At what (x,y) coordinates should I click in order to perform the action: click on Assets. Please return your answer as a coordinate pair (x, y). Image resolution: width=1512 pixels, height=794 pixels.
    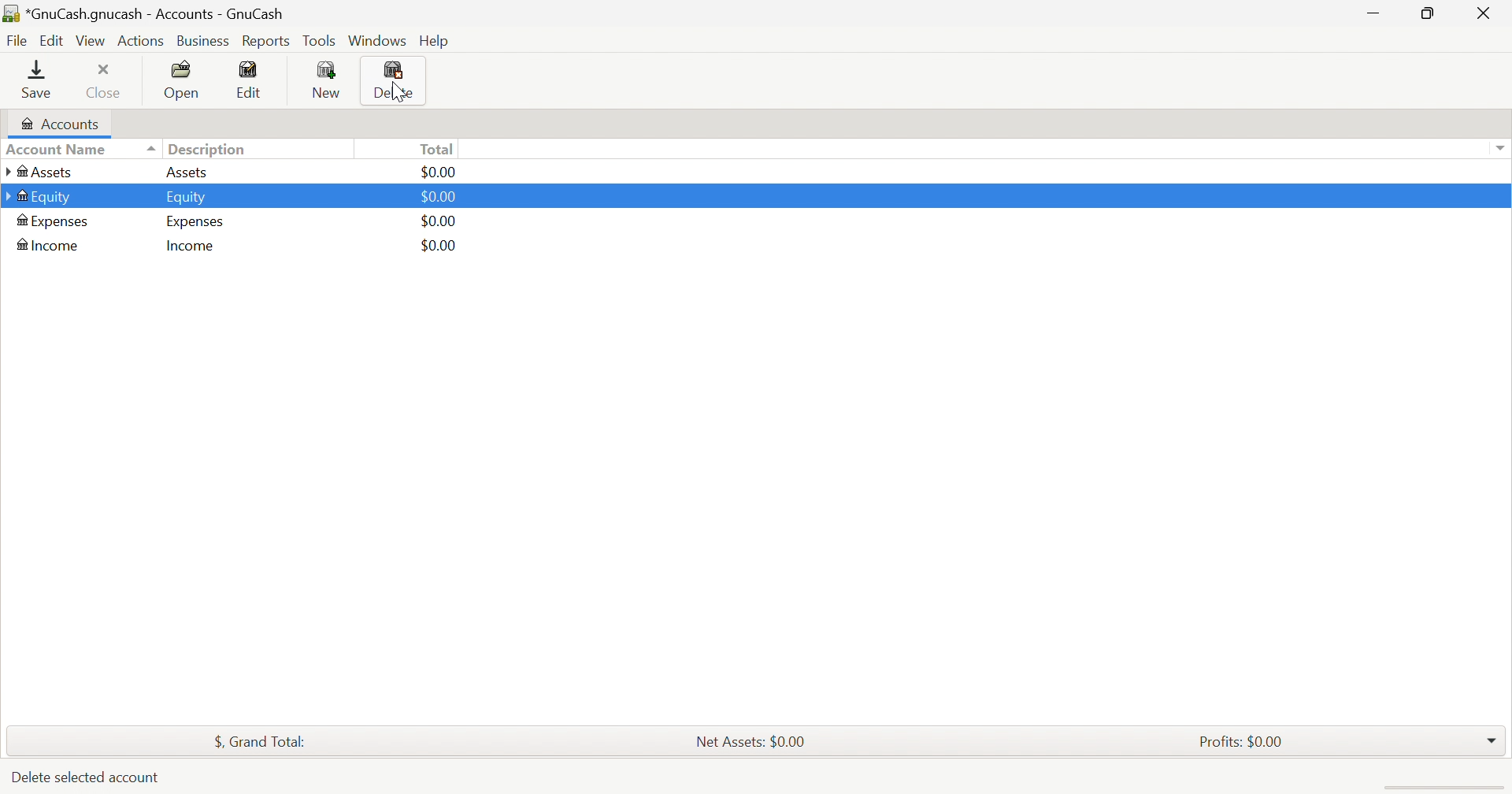
    Looking at the image, I should click on (39, 172).